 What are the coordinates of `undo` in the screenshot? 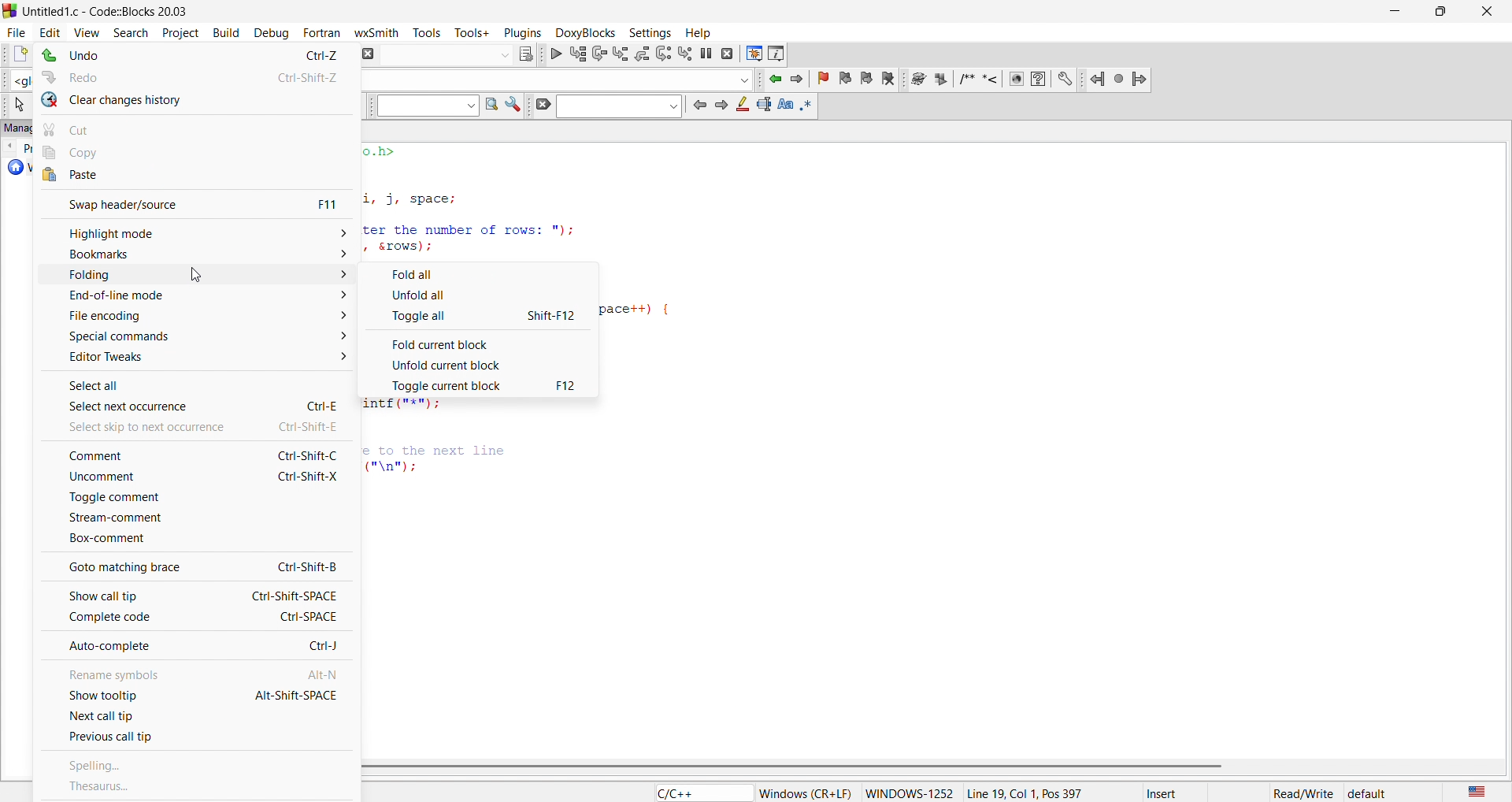 It's located at (193, 56).